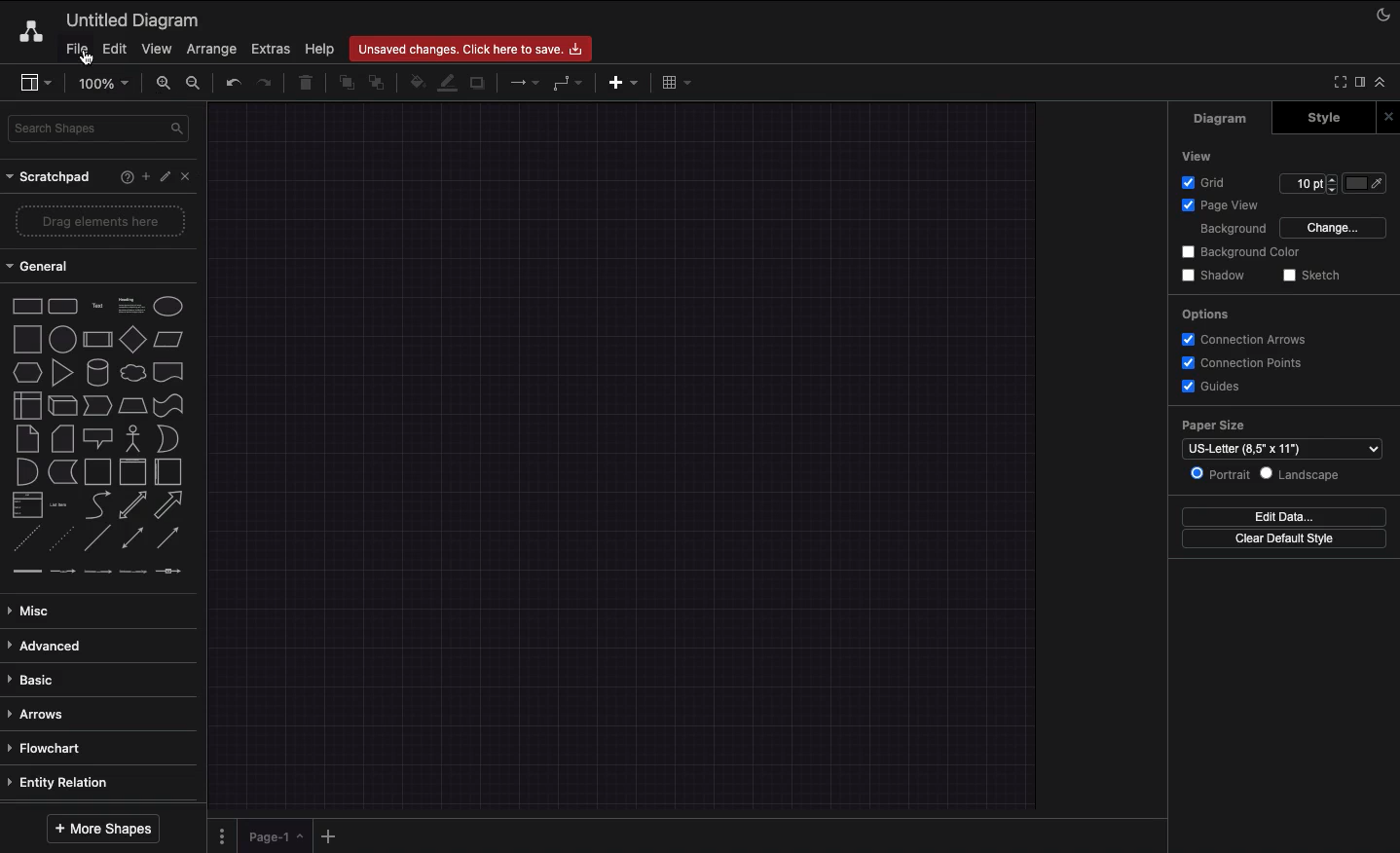  What do you see at coordinates (95, 571) in the screenshot?
I see `connector 3` at bounding box center [95, 571].